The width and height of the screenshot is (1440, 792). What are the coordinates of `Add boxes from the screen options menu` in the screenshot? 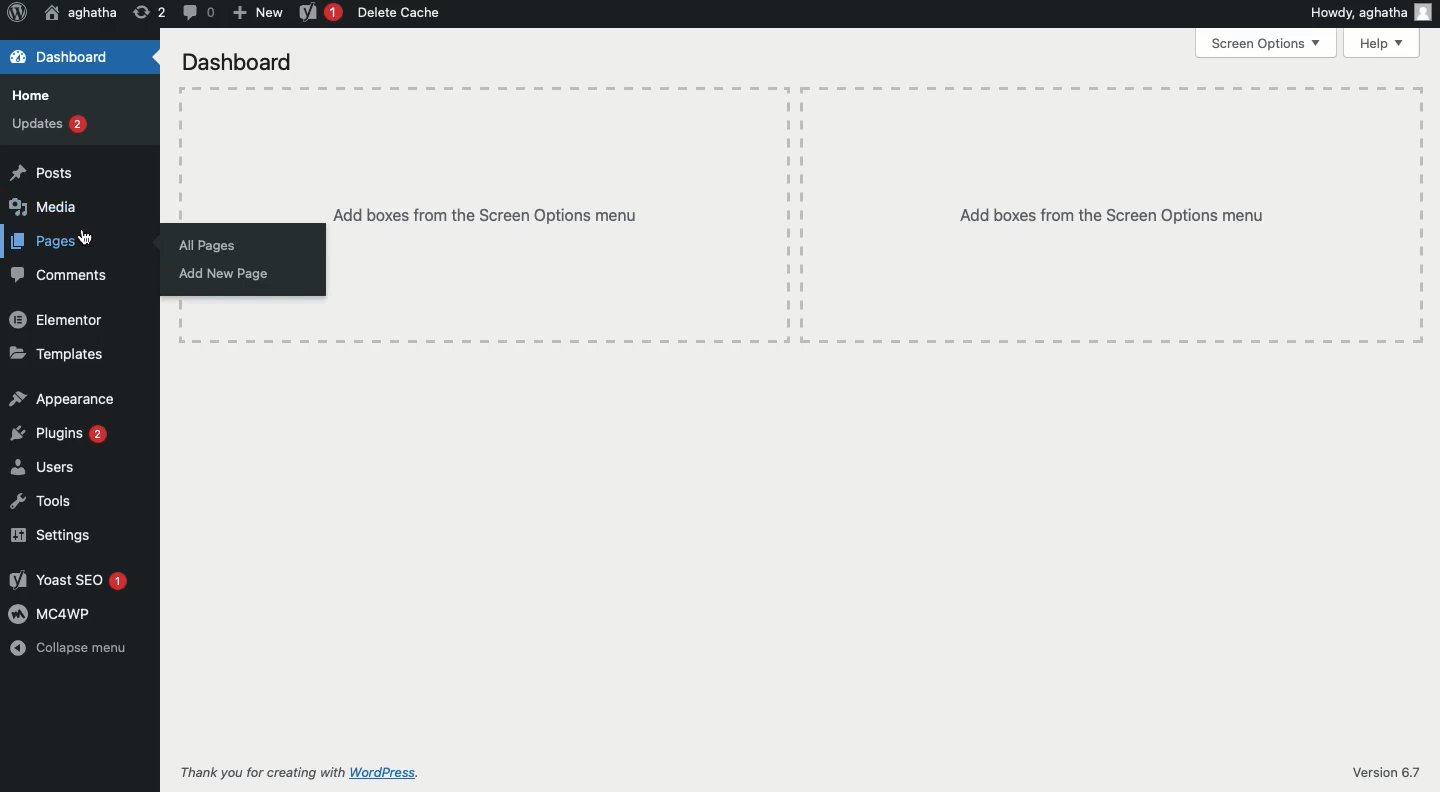 It's located at (873, 214).